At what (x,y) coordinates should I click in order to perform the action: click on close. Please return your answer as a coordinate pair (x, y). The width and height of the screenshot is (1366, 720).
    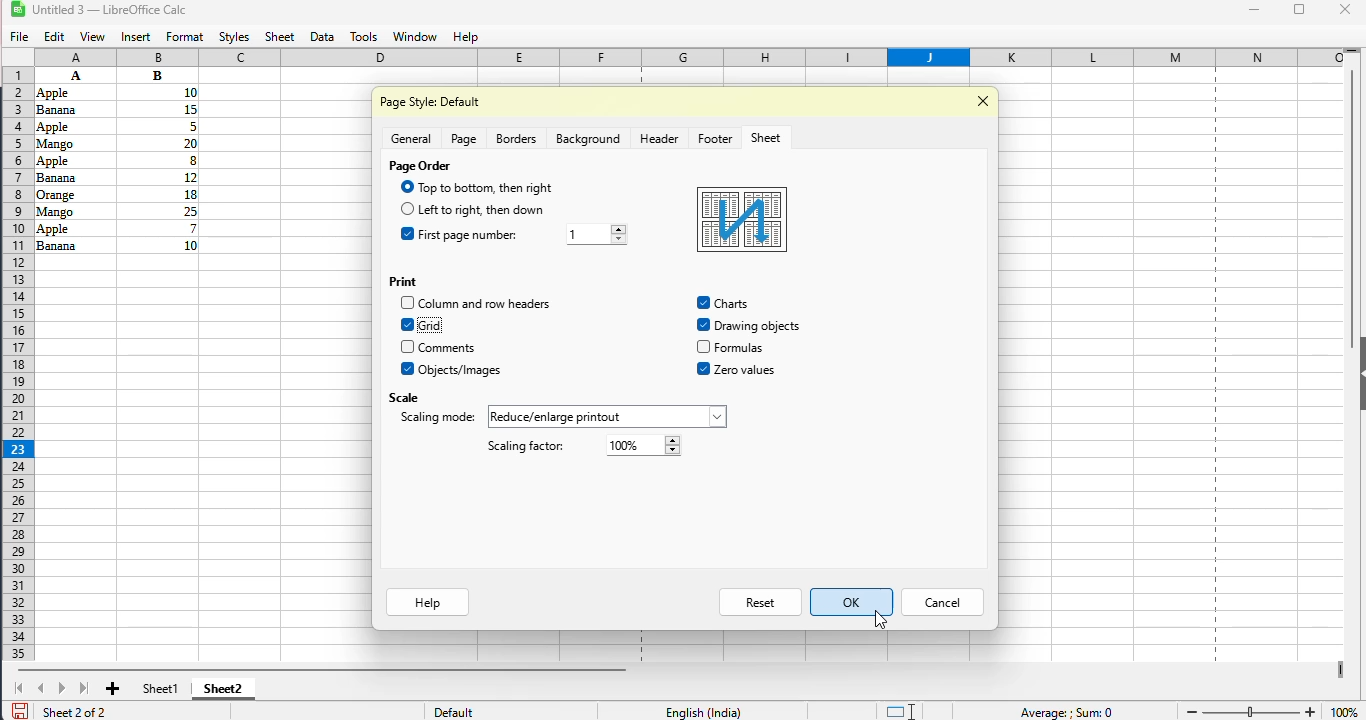
    Looking at the image, I should click on (1346, 9).